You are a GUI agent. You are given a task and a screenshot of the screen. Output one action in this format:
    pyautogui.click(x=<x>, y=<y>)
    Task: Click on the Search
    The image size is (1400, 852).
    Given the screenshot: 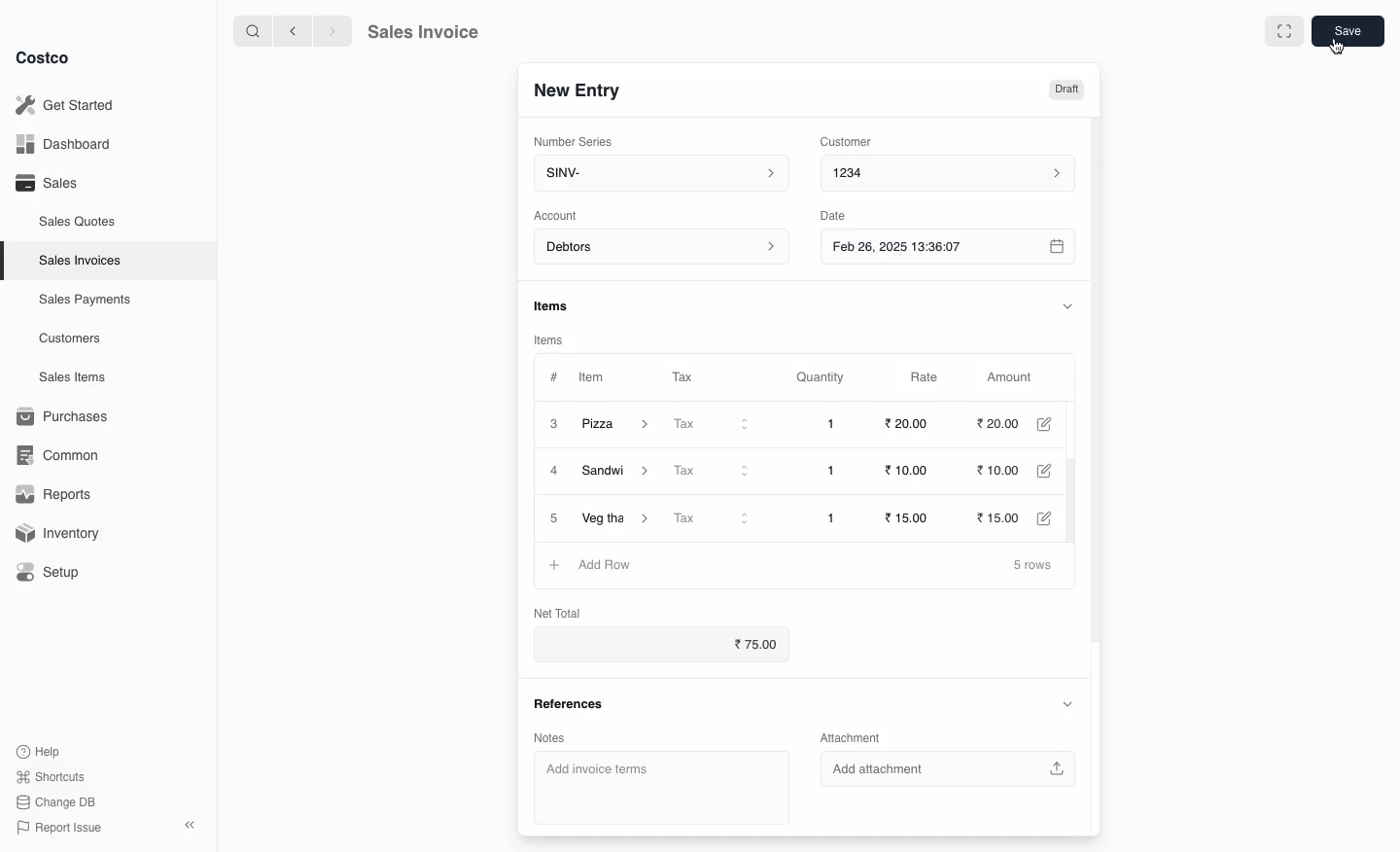 What is the action you would take?
    pyautogui.click(x=250, y=30)
    